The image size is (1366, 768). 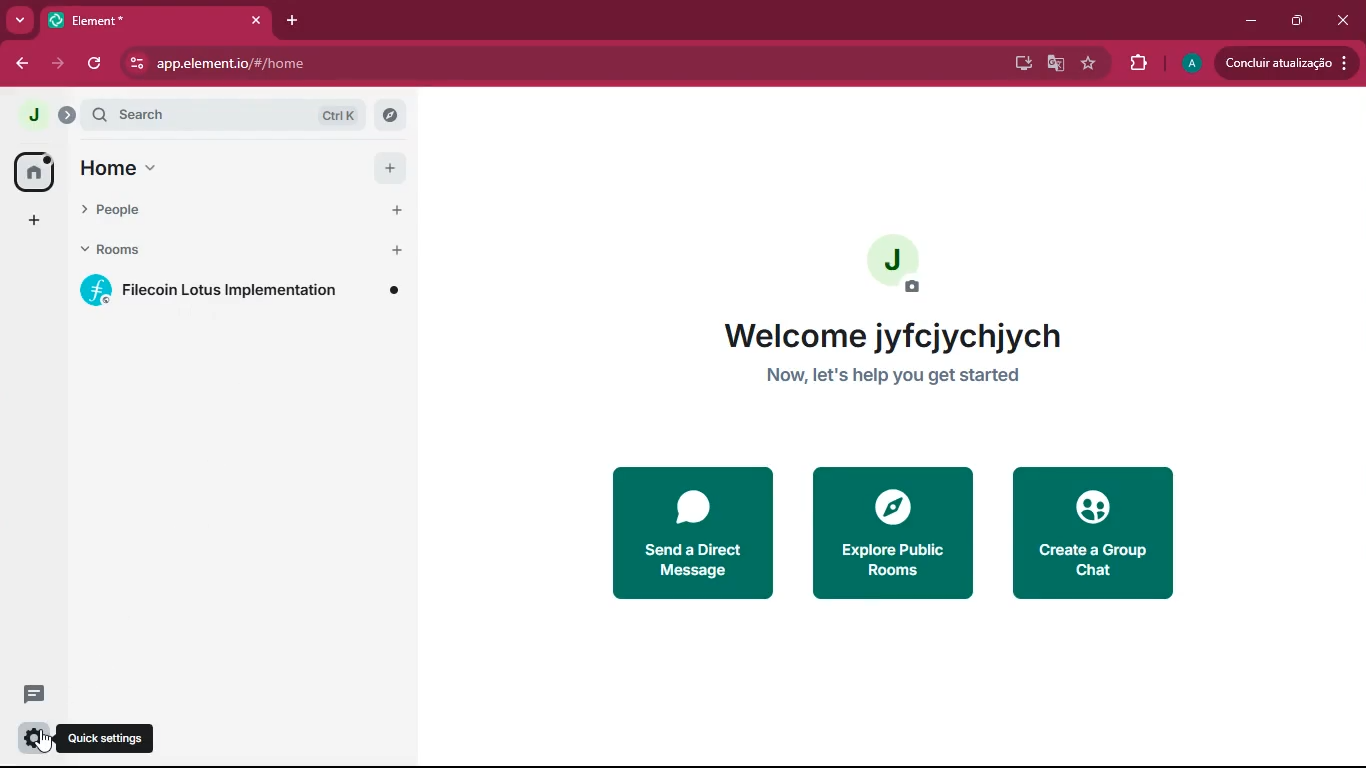 What do you see at coordinates (220, 213) in the screenshot?
I see `people` at bounding box center [220, 213].